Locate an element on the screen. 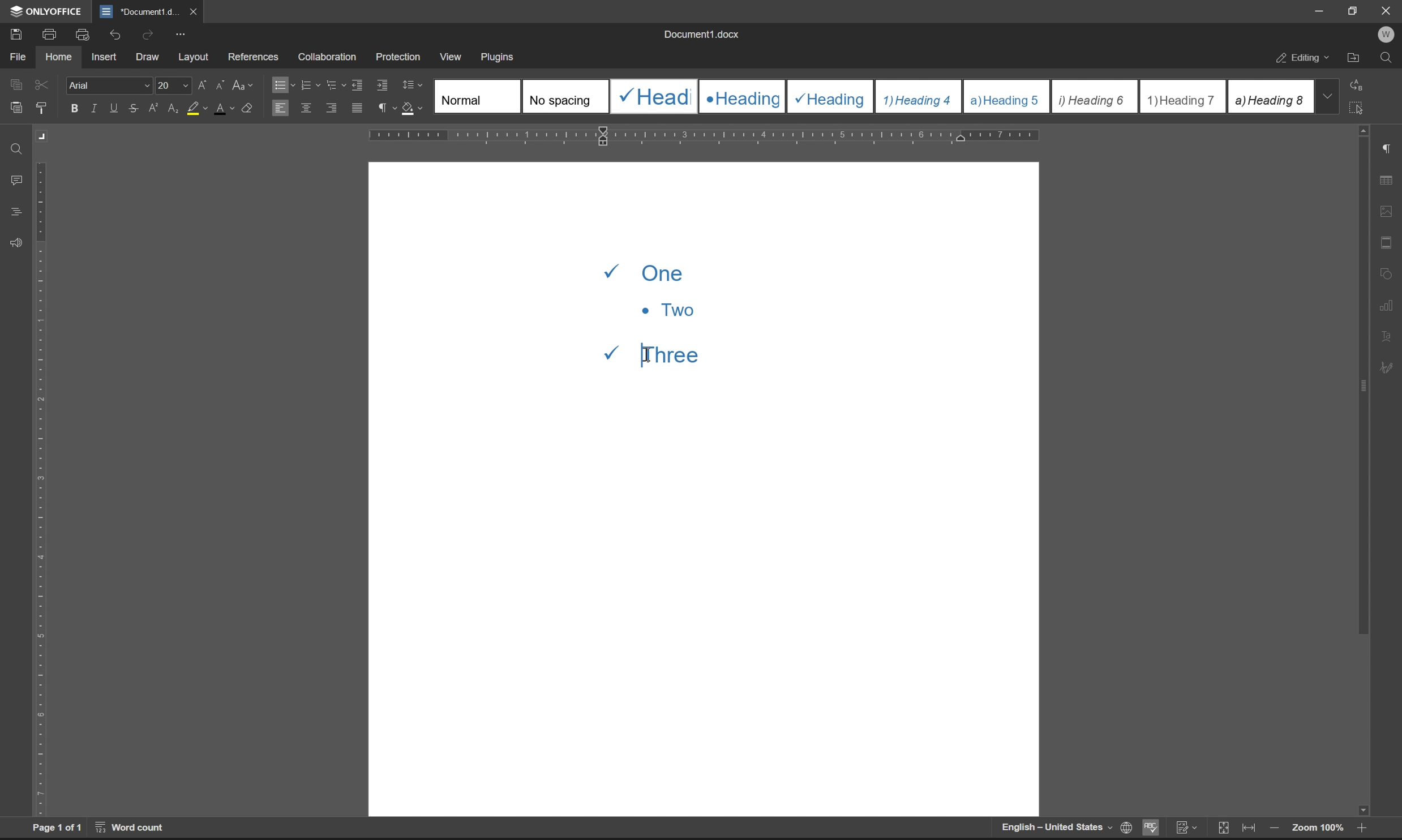  set document language is located at coordinates (1124, 828).